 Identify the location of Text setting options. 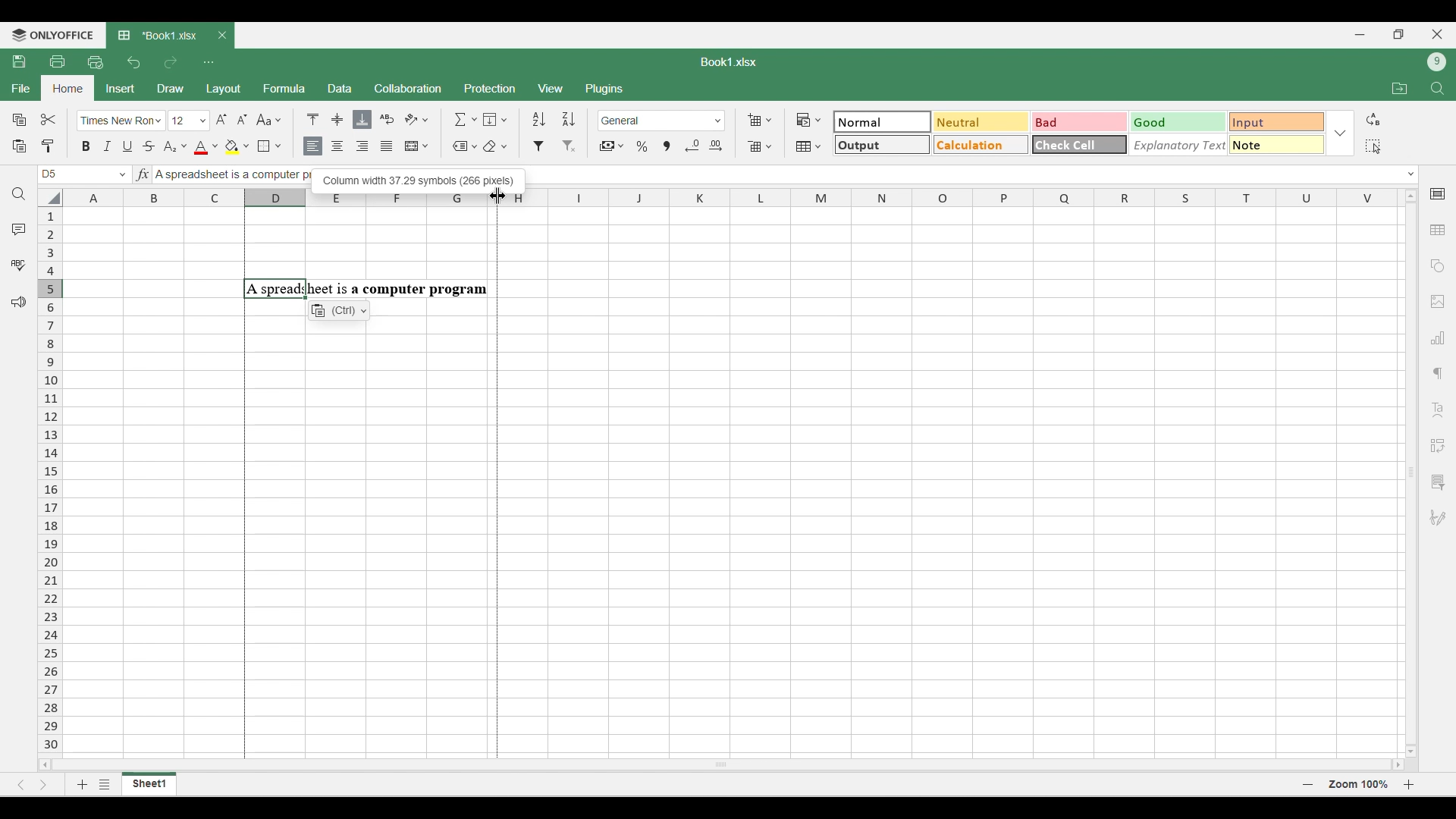
(339, 310).